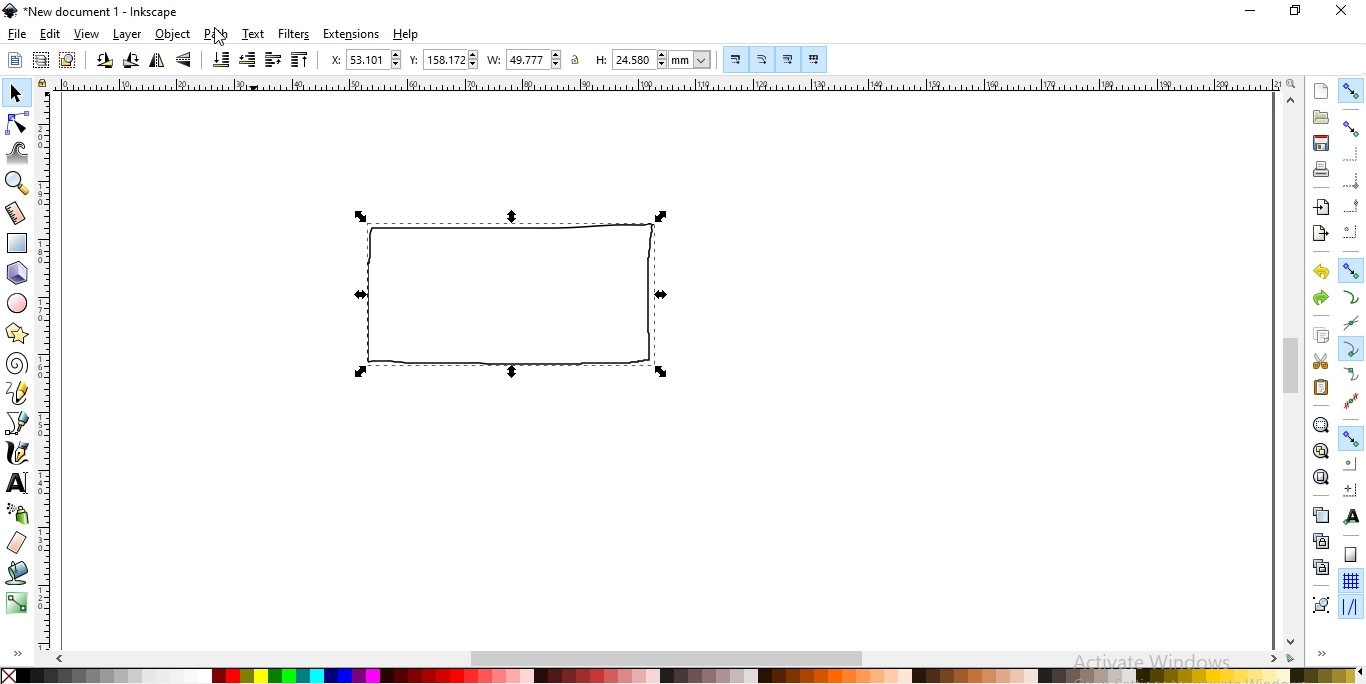  What do you see at coordinates (1319, 451) in the screenshot?
I see `zoom to fit  drawing ` at bounding box center [1319, 451].